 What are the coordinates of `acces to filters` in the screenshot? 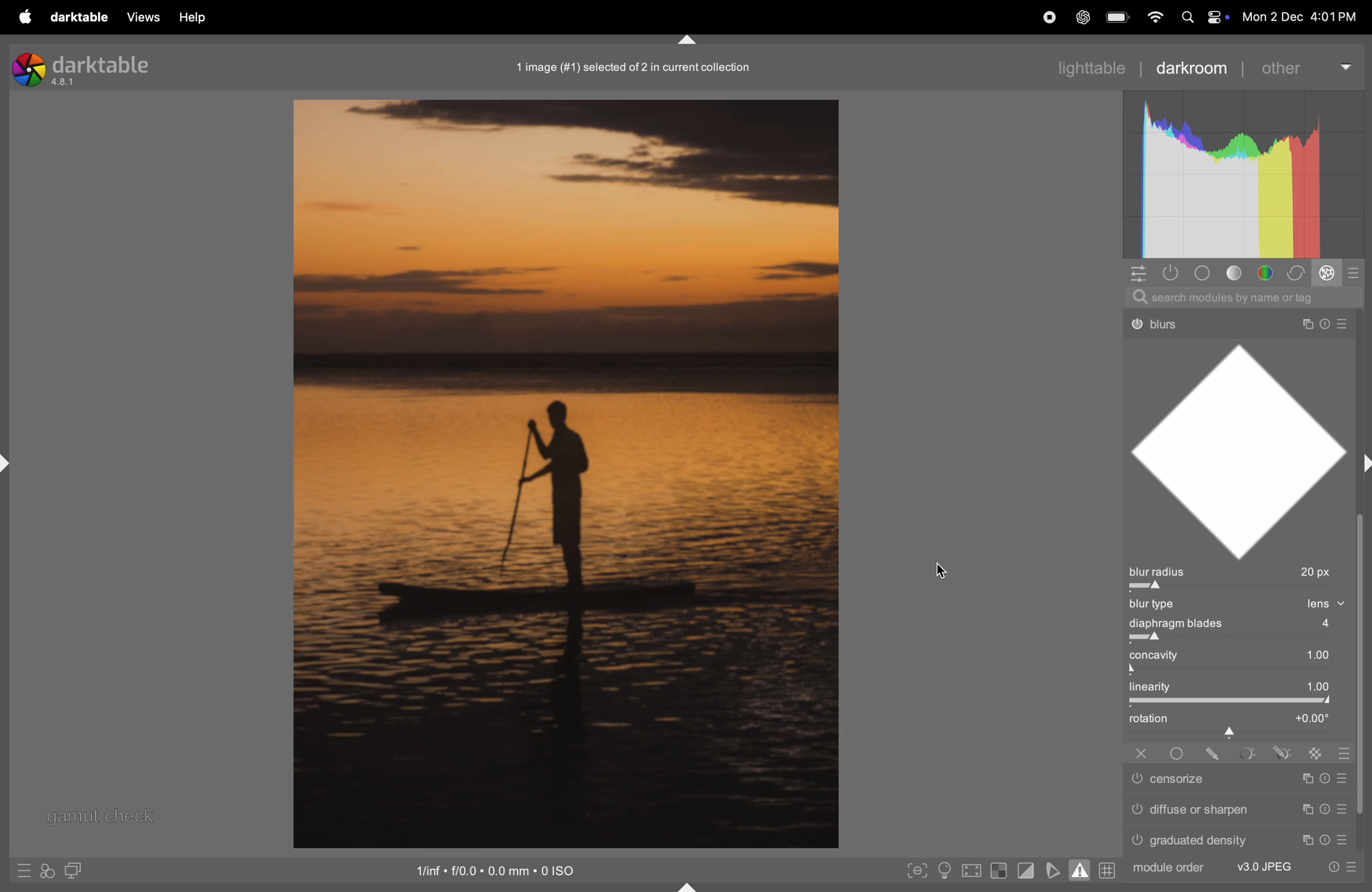 It's located at (49, 870).